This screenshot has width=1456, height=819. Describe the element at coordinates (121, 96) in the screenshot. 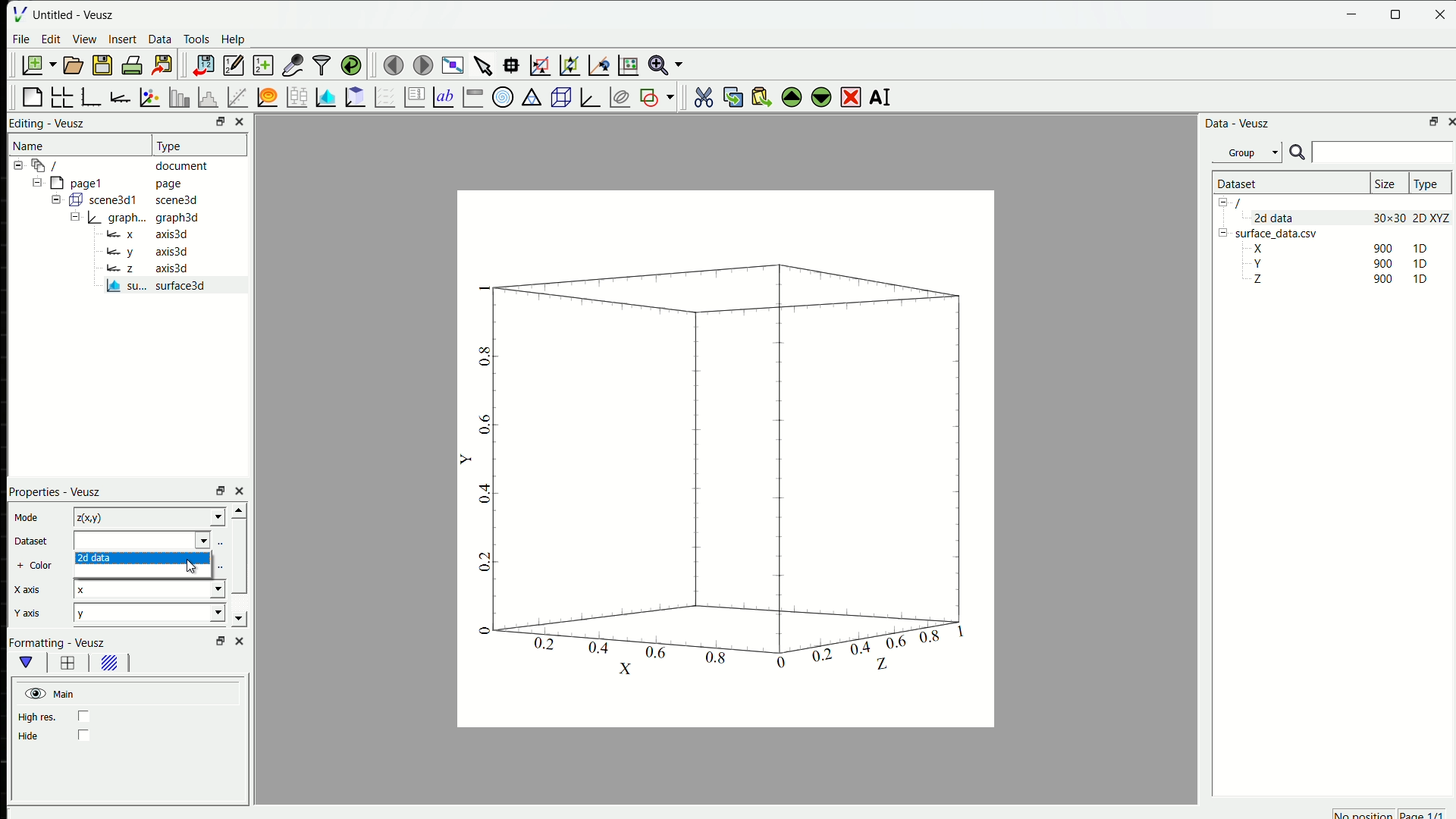

I see `add an axis to the plot` at that location.